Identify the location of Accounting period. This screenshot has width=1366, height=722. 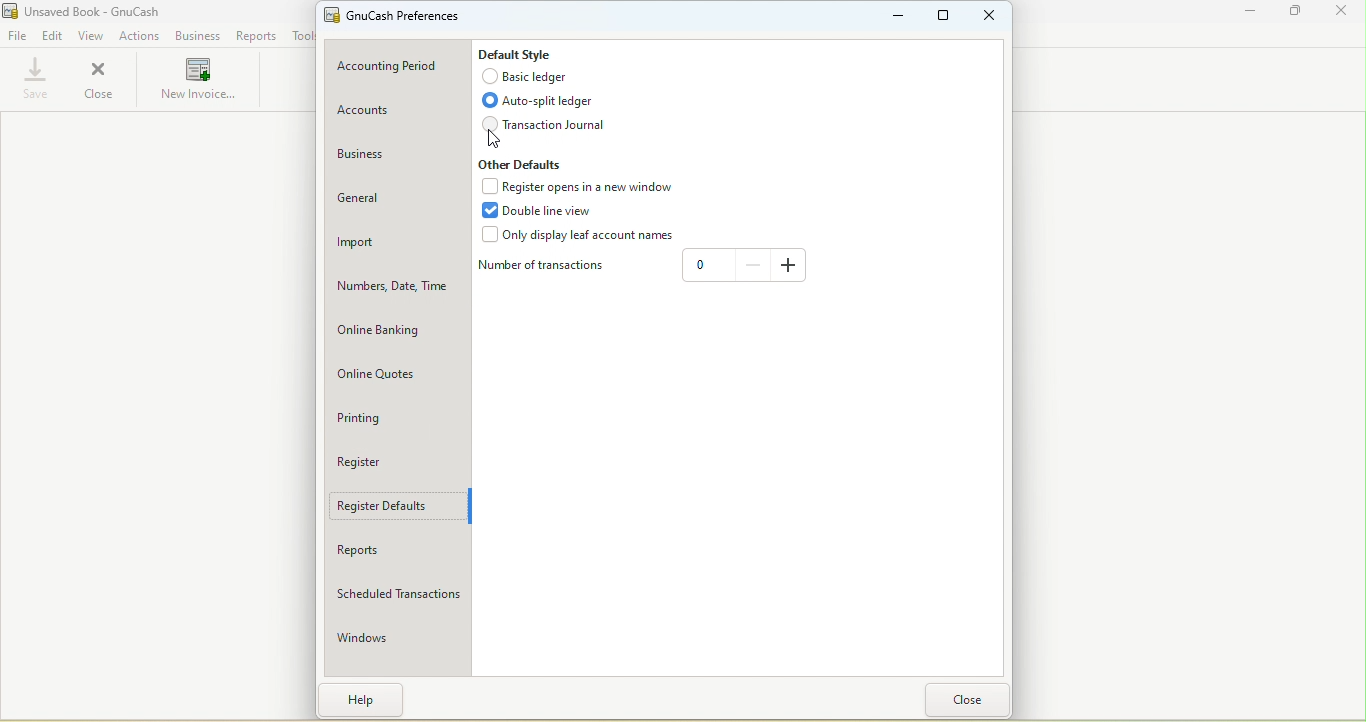
(401, 67).